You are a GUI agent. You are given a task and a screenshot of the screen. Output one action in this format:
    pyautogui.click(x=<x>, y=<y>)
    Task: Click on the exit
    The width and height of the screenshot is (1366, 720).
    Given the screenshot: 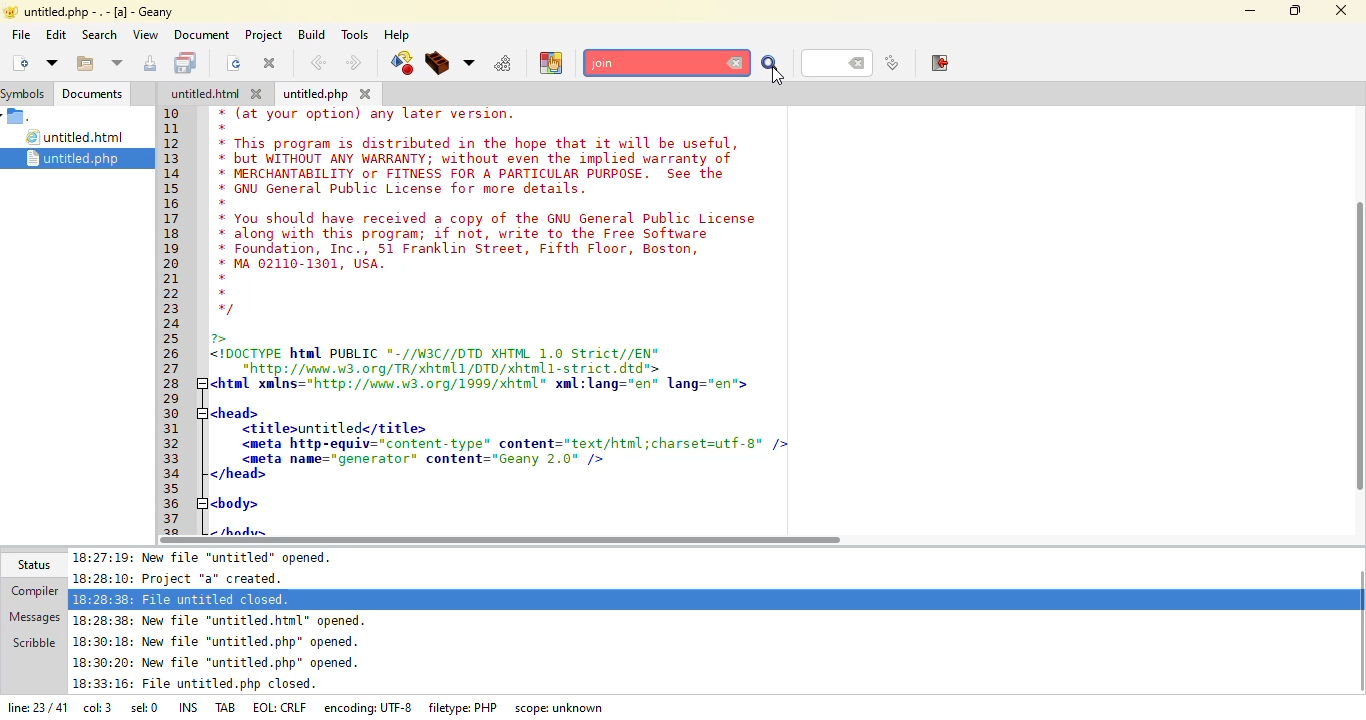 What is the action you would take?
    pyautogui.click(x=941, y=63)
    